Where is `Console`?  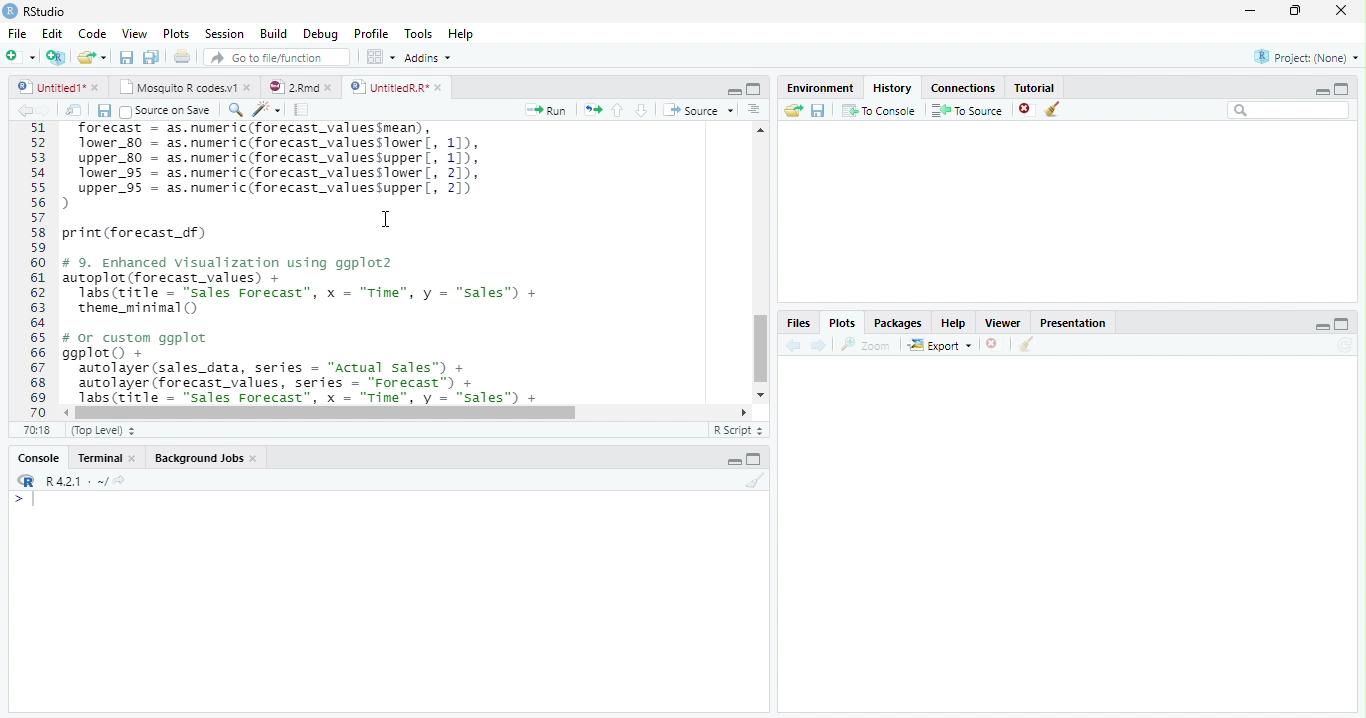
Console is located at coordinates (40, 457).